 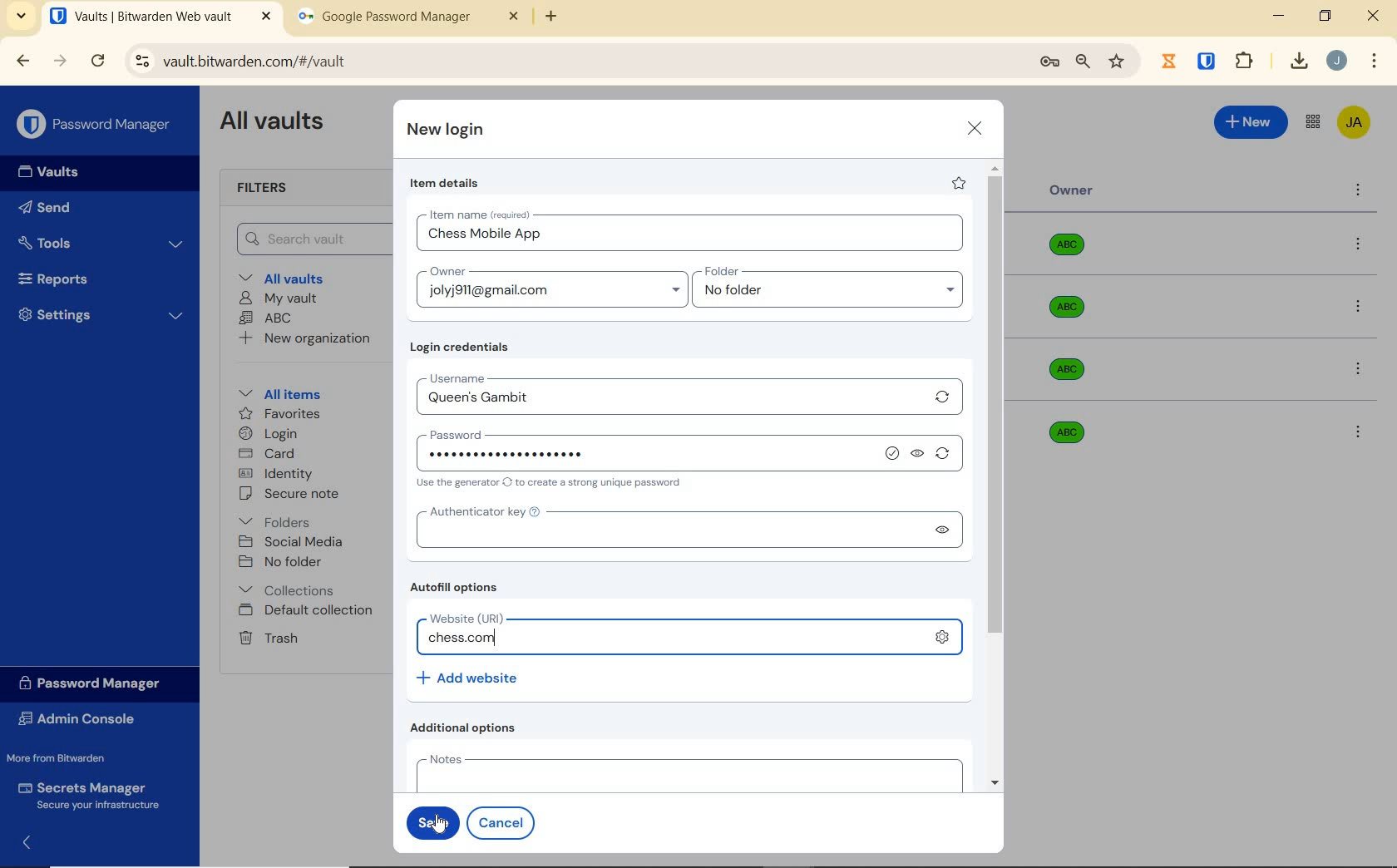 I want to click on option, so click(x=1361, y=371).